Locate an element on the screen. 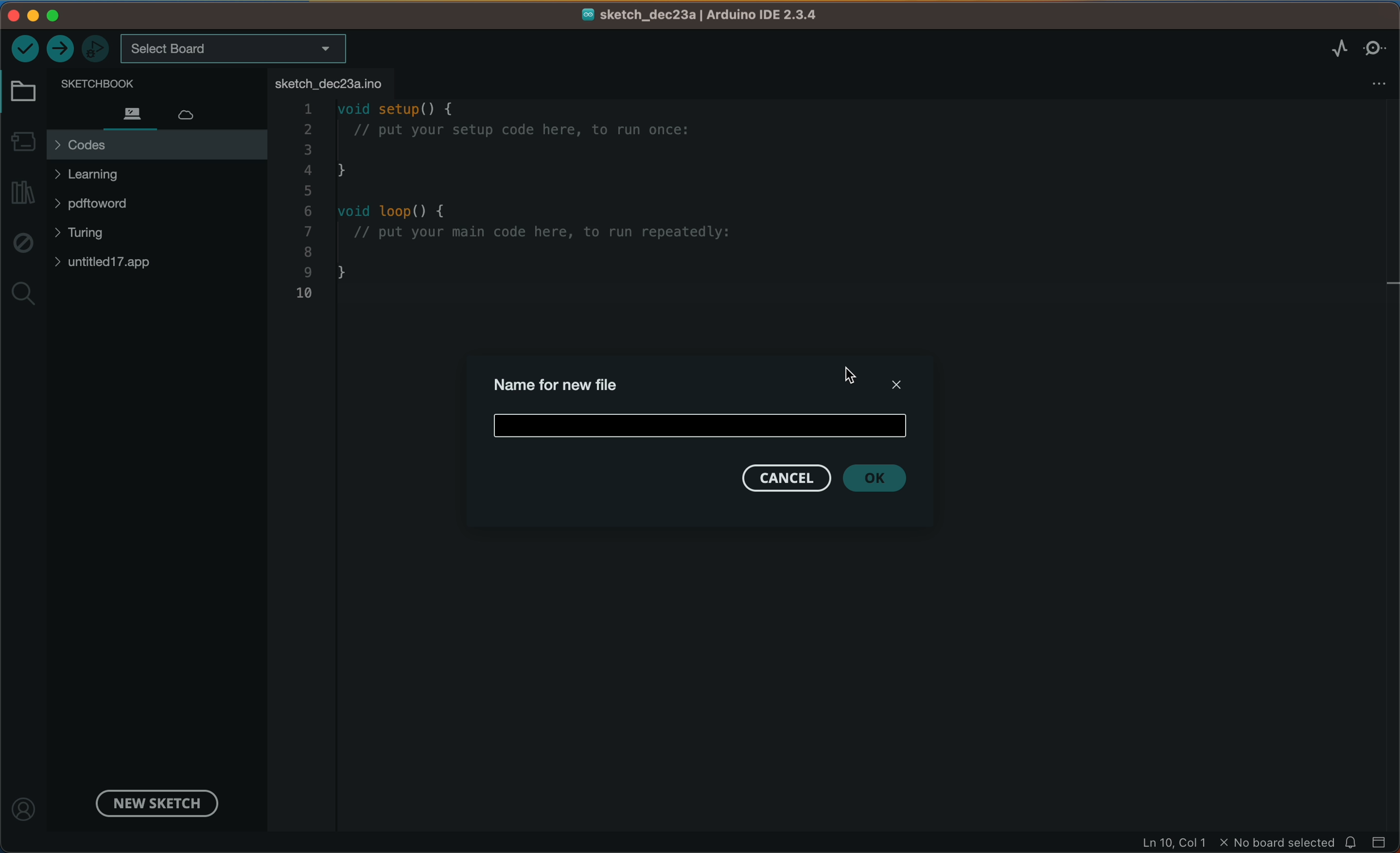 The height and width of the screenshot is (853, 1400). folder is located at coordinates (26, 92).